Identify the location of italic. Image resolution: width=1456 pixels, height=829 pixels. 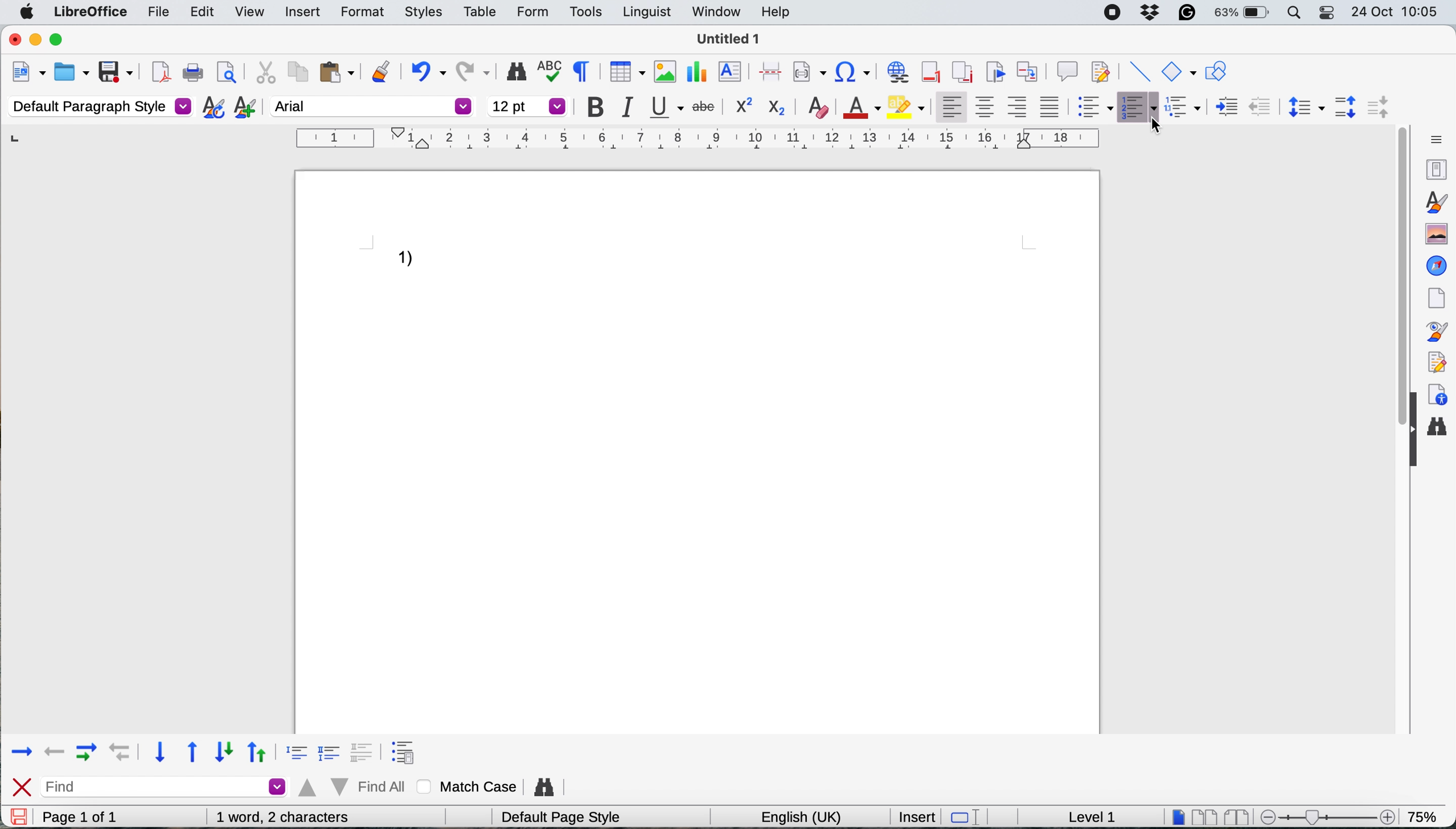
(633, 108).